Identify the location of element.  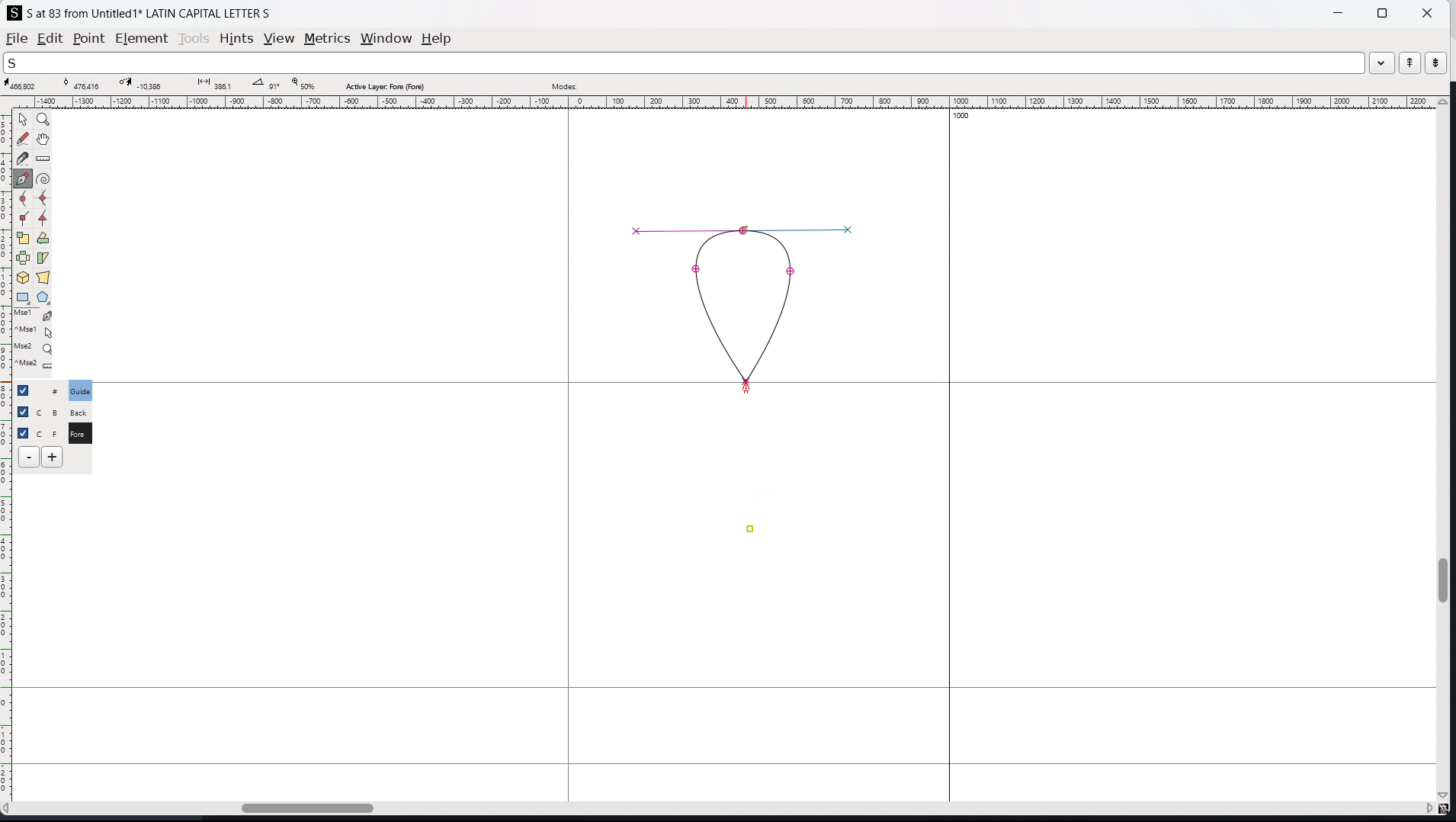
(143, 39).